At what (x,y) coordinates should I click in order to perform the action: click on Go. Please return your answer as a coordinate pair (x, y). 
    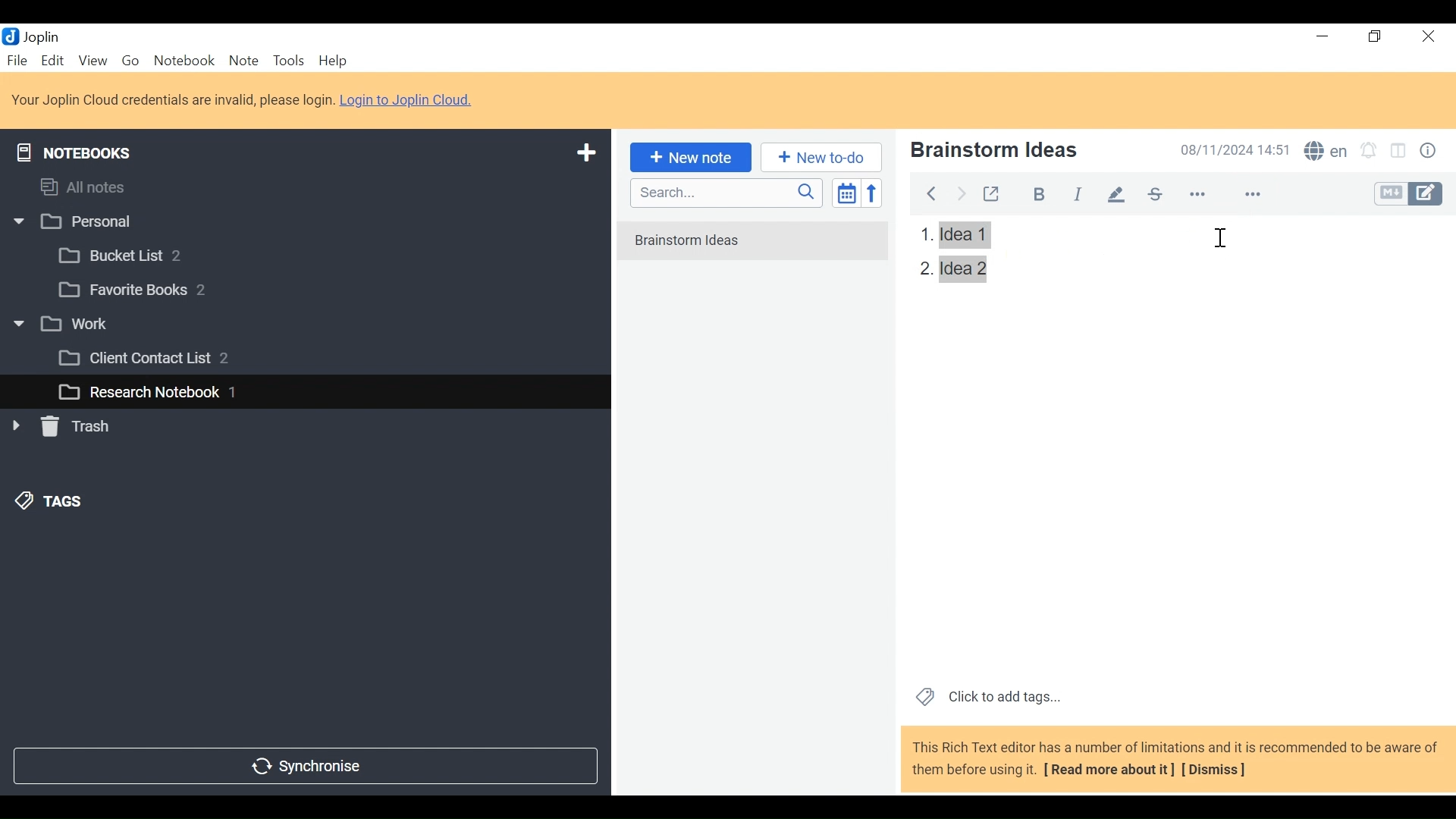
    Looking at the image, I should click on (130, 59).